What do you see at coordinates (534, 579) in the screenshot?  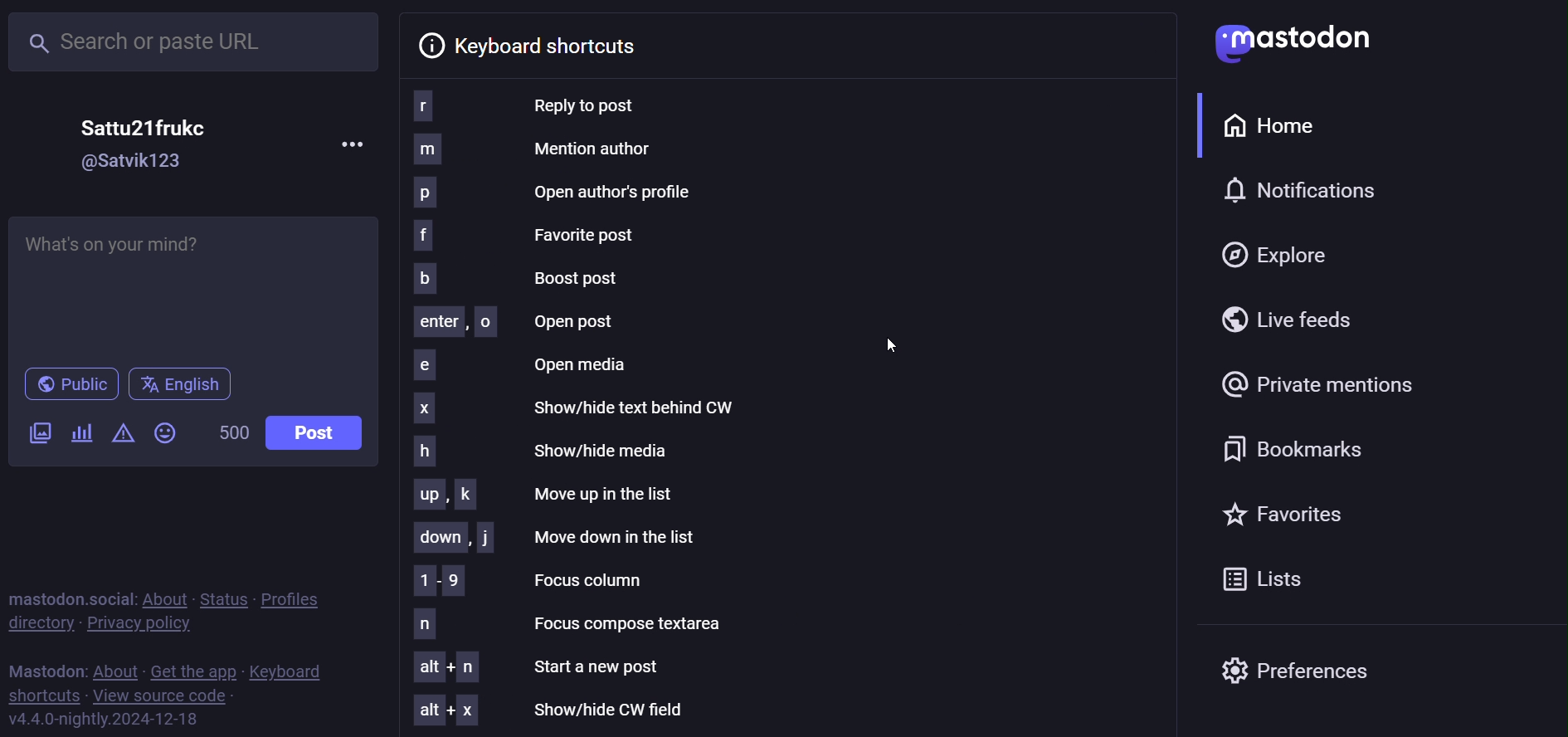 I see `focus column` at bounding box center [534, 579].